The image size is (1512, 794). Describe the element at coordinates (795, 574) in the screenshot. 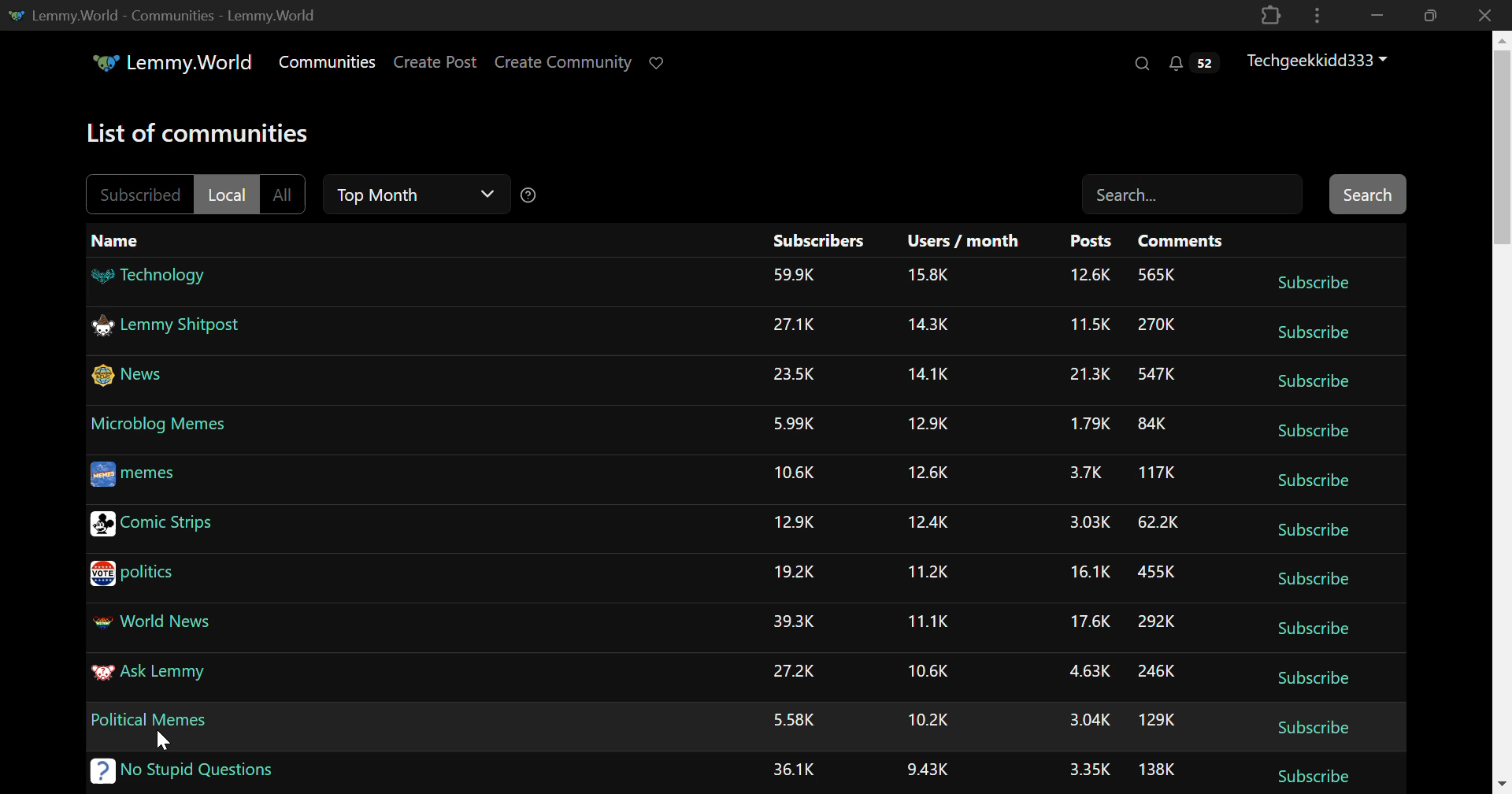

I see `Amount` at that location.